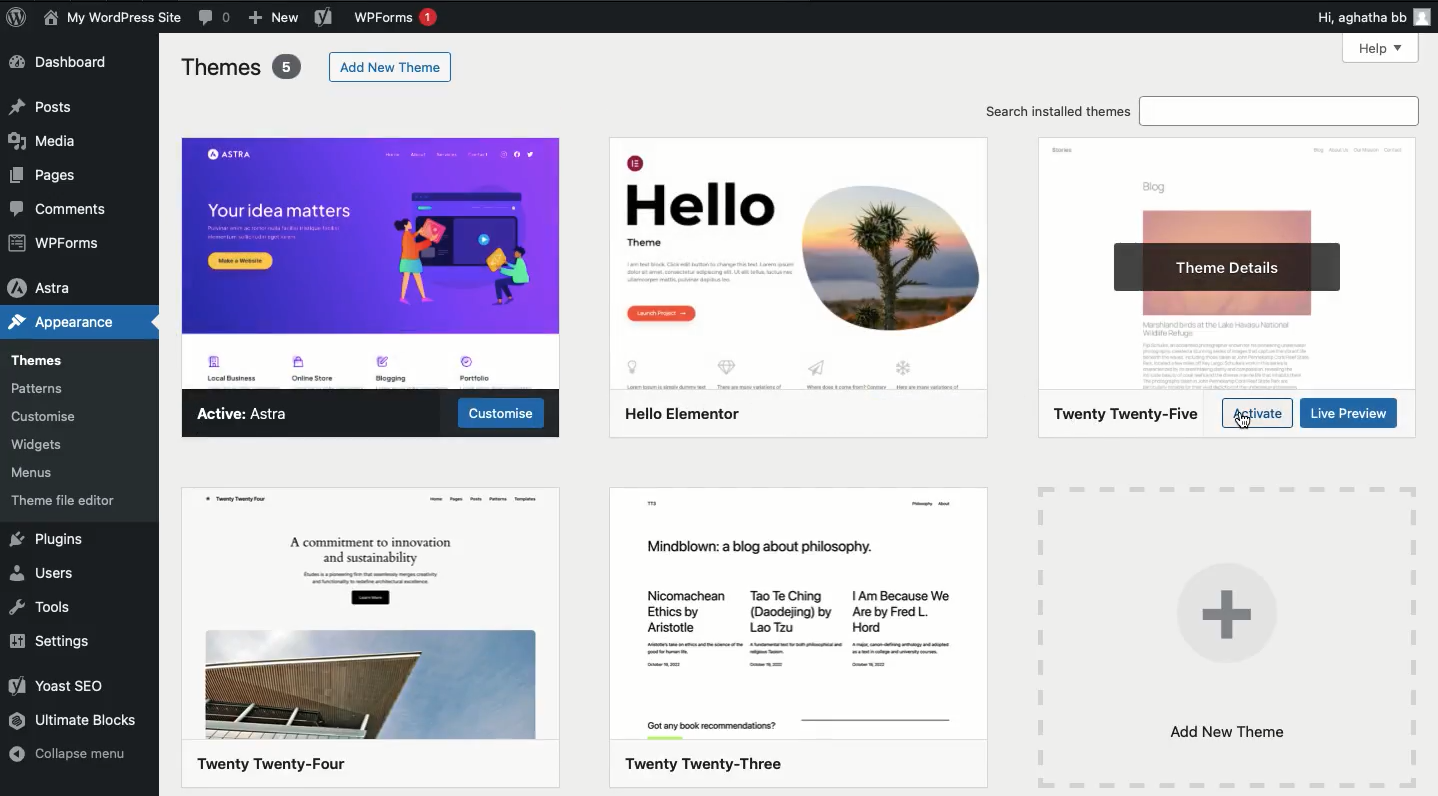  Describe the element at coordinates (368, 638) in the screenshot. I see `Theme` at that location.